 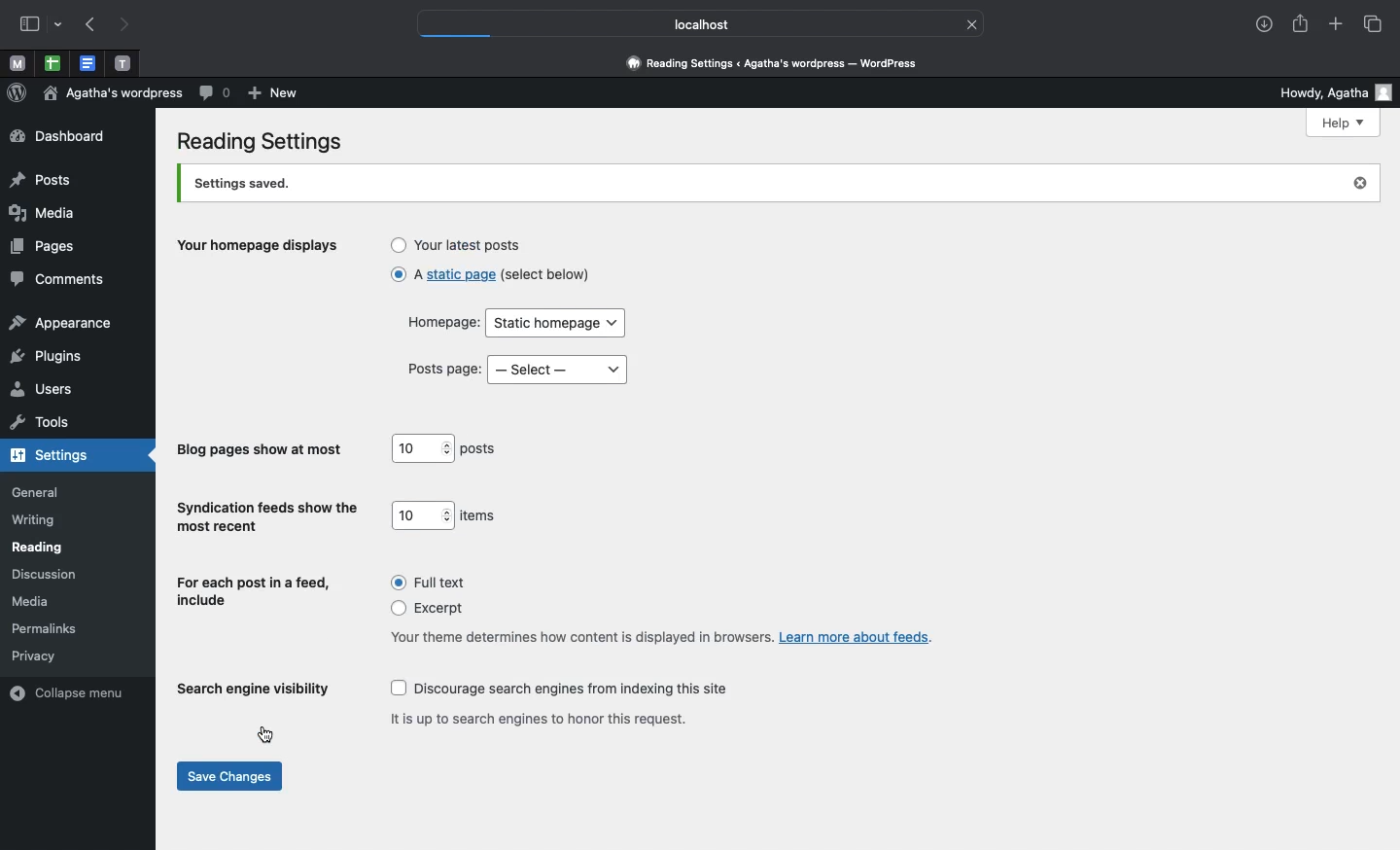 I want to click on posts page, so click(x=442, y=369).